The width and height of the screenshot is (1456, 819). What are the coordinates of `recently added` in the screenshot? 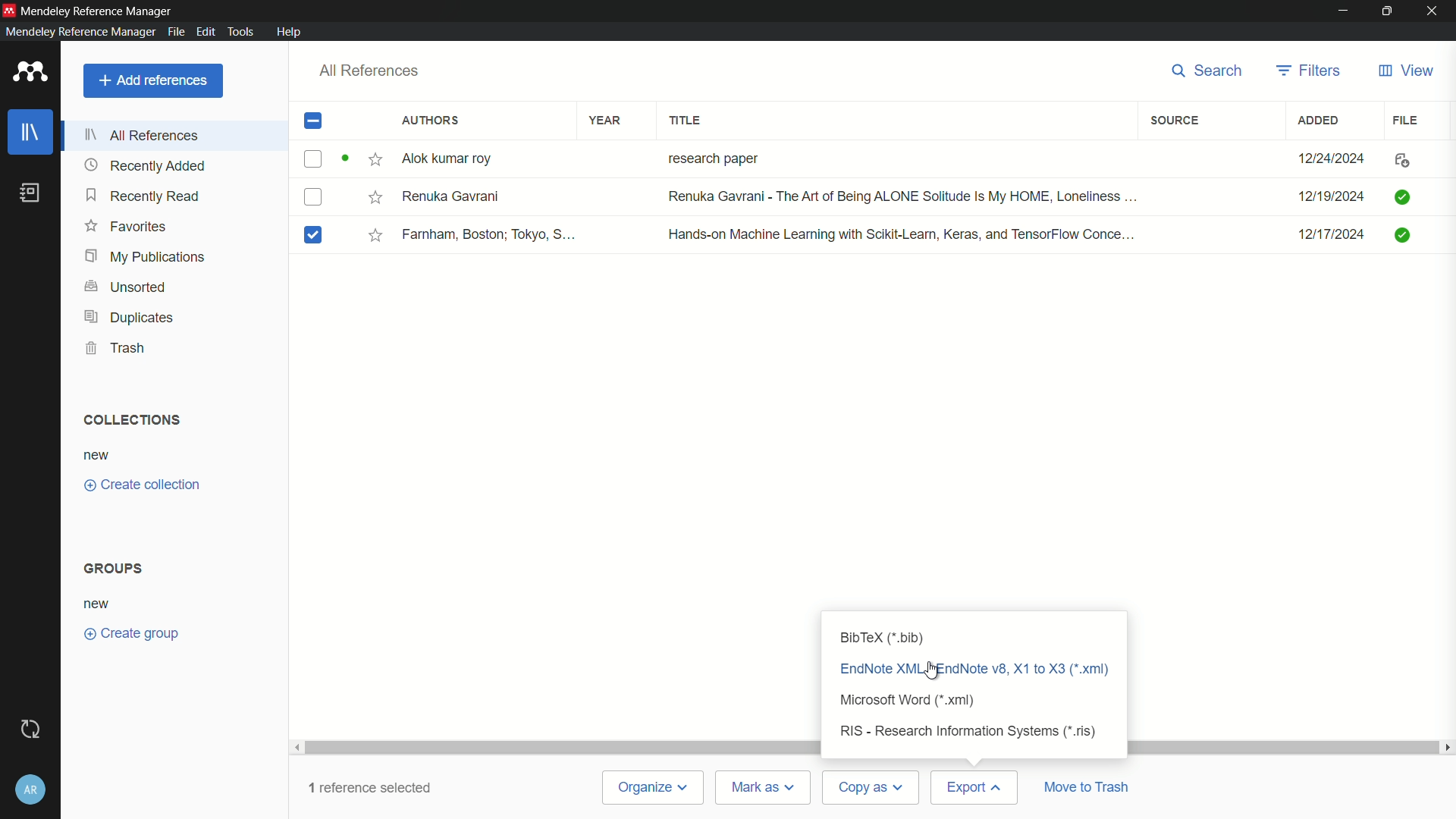 It's located at (147, 165).